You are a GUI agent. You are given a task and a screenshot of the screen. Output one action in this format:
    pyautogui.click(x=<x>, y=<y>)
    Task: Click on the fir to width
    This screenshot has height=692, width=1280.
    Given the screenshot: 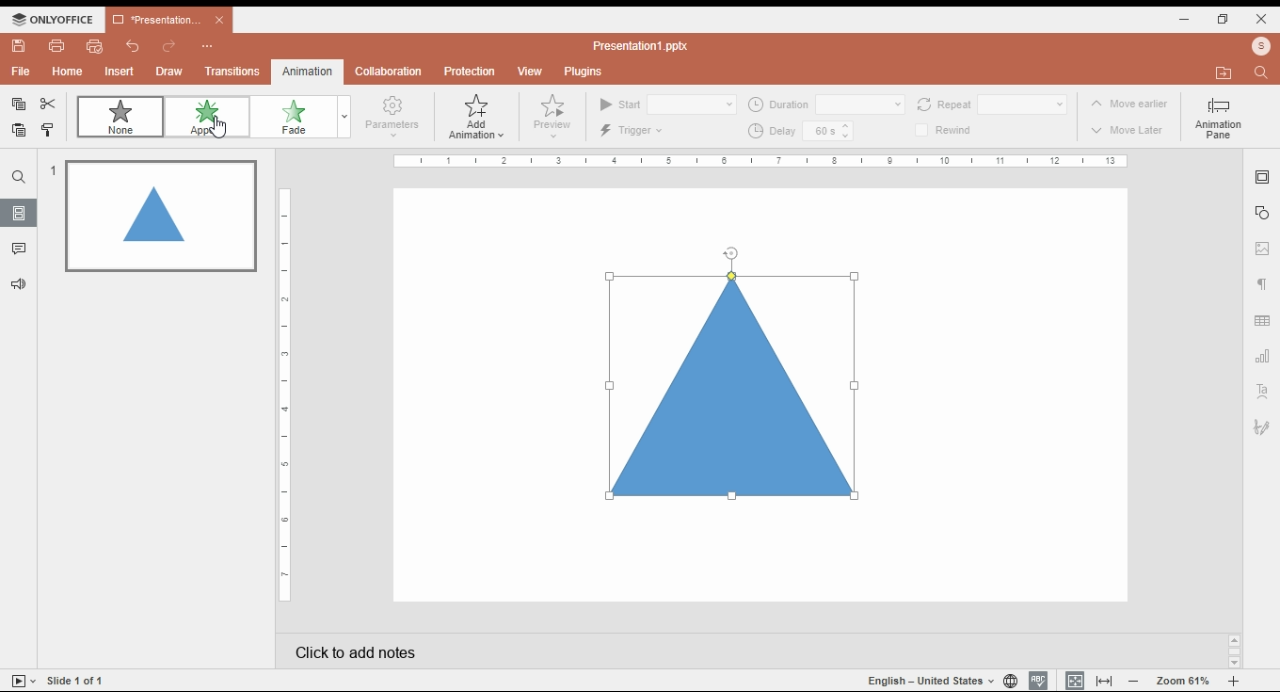 What is the action you would take?
    pyautogui.click(x=1104, y=681)
    